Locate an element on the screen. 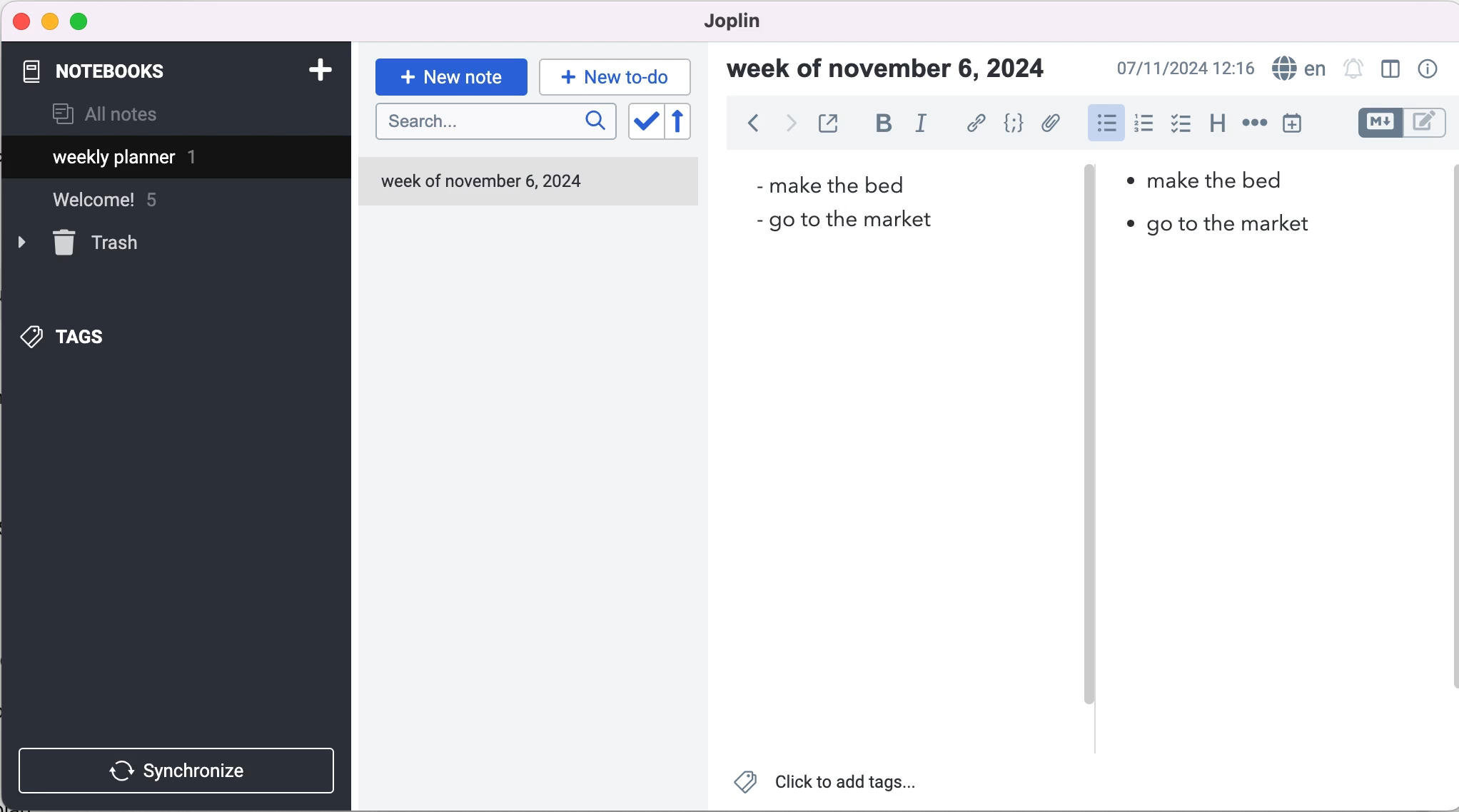 The height and width of the screenshot is (812, 1459). add note is located at coordinates (319, 68).